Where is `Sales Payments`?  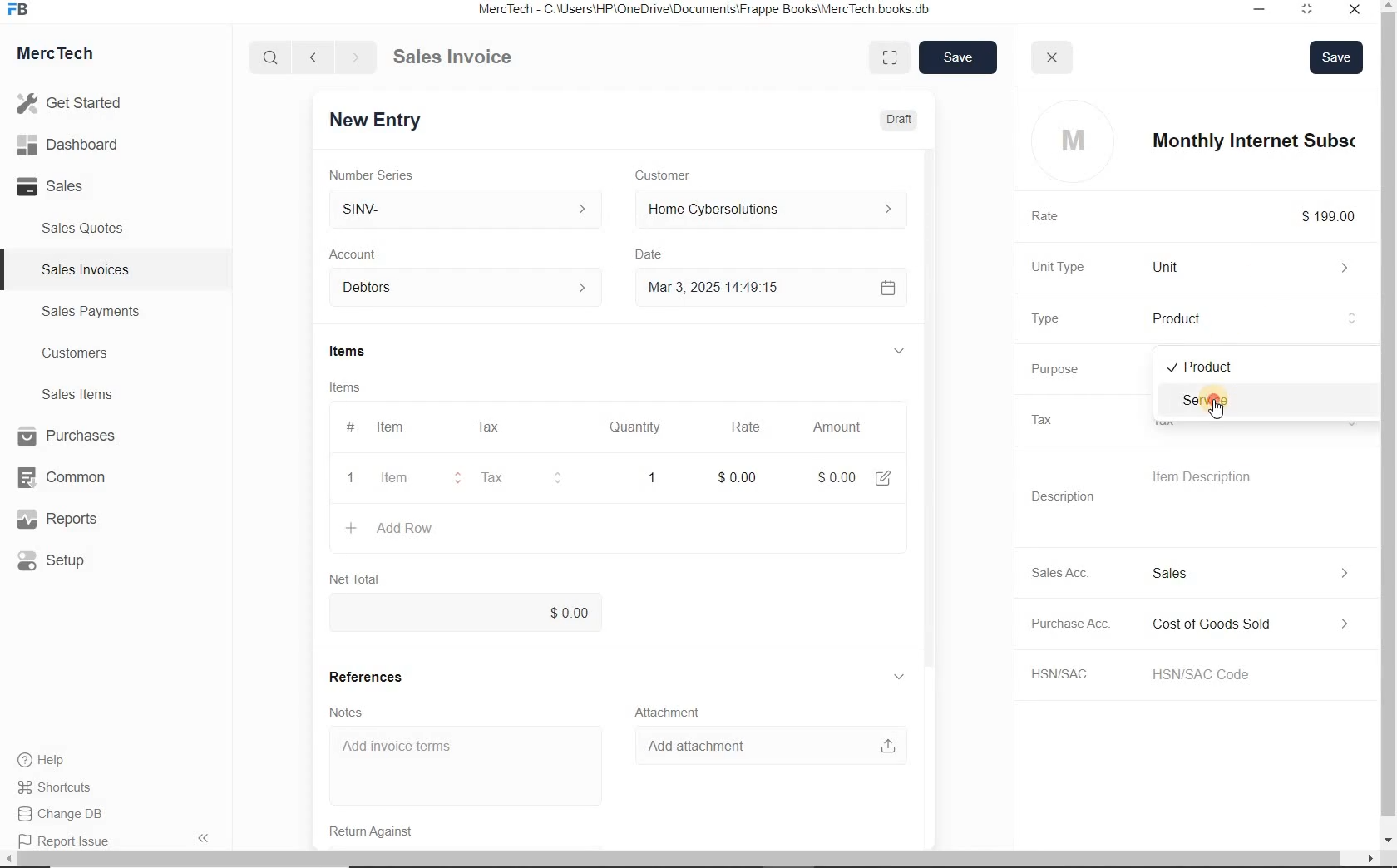 Sales Payments is located at coordinates (88, 312).